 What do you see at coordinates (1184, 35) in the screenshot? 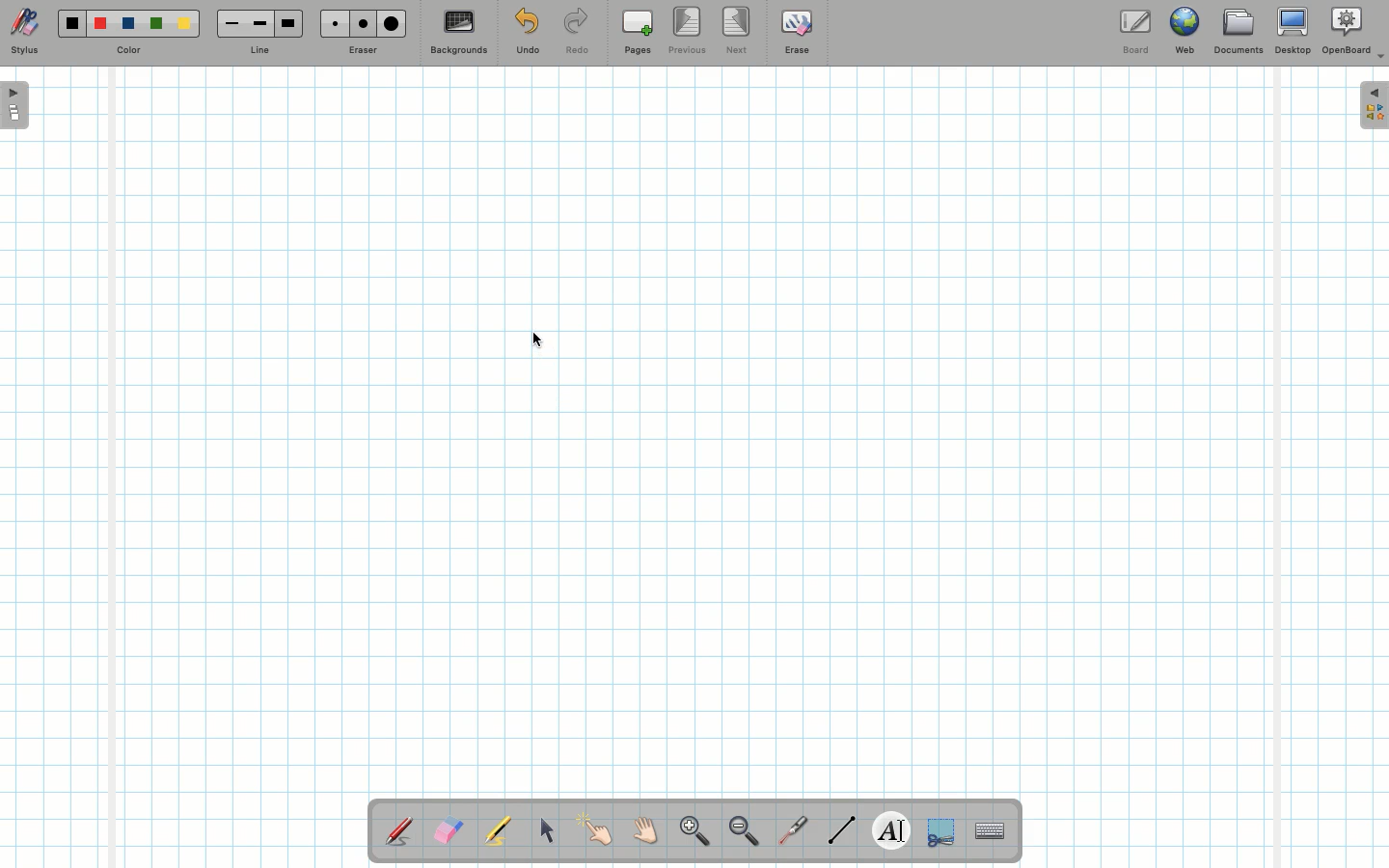
I see `Web` at bounding box center [1184, 35].